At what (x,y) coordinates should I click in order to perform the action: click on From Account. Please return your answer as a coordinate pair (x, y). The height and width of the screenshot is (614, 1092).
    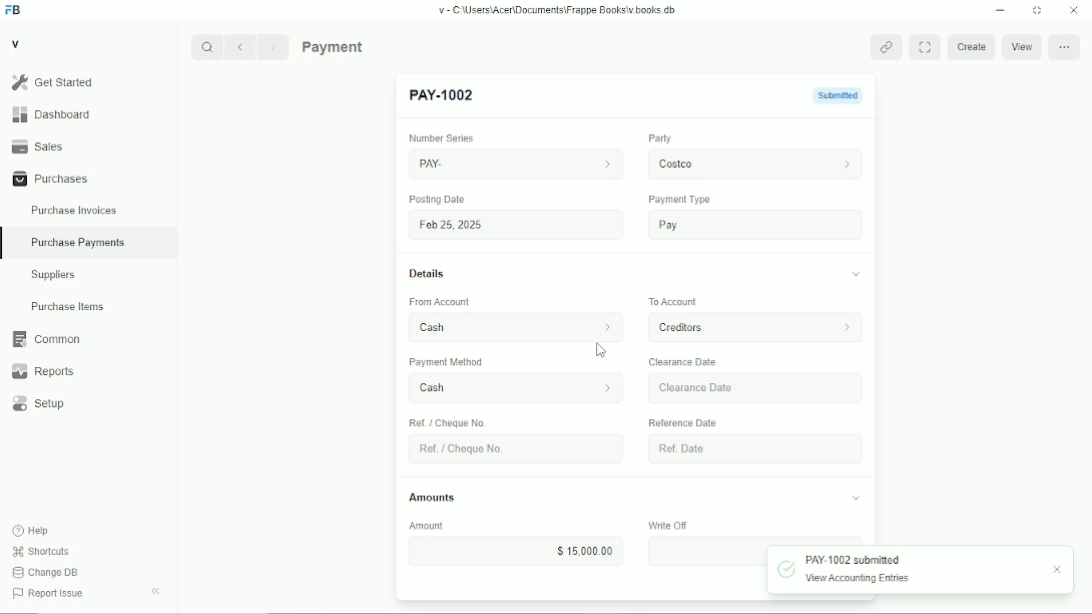
    Looking at the image, I should click on (508, 325).